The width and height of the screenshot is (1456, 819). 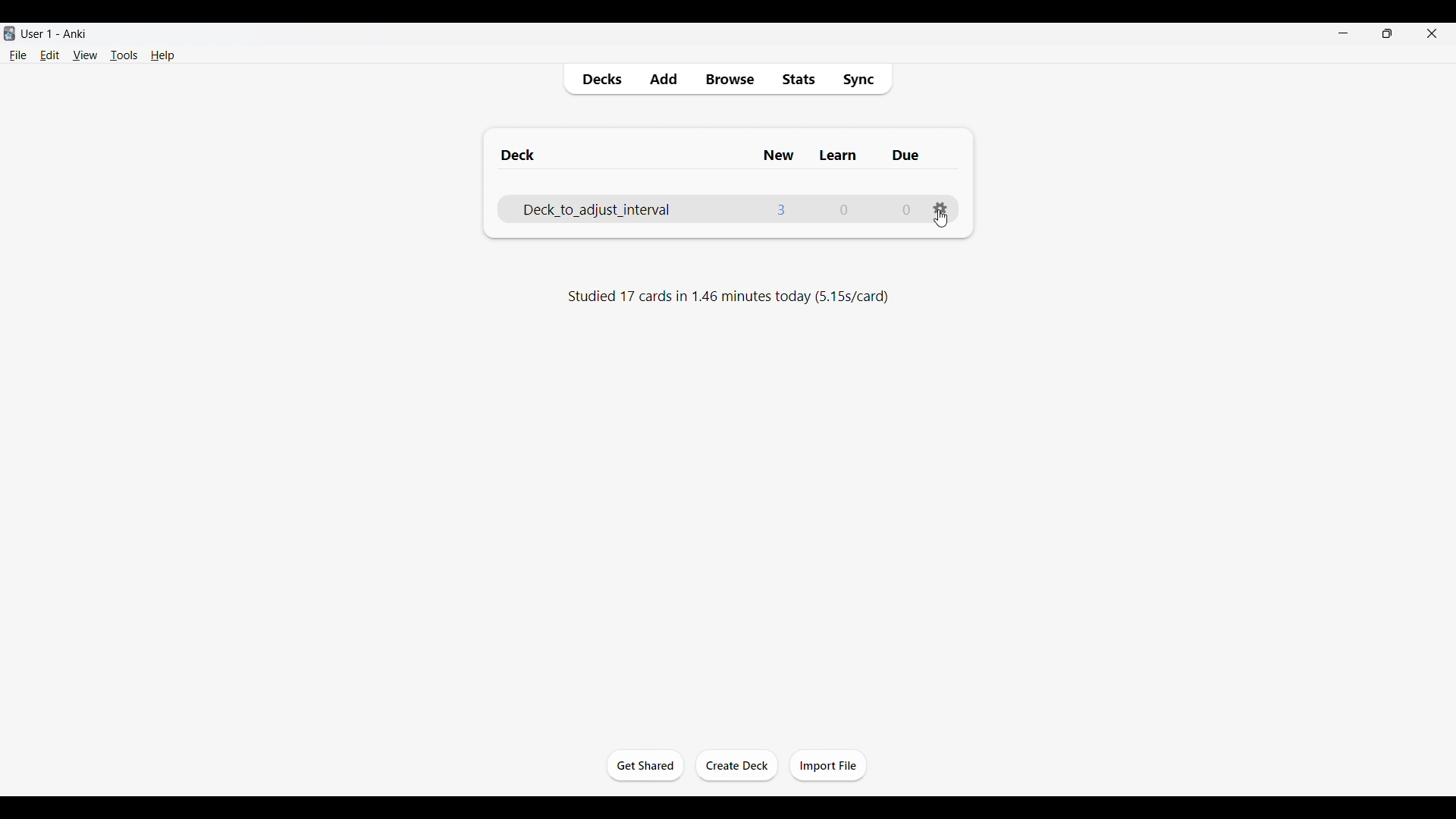 What do you see at coordinates (842, 209) in the screenshot?
I see `Number of cards to learn` at bounding box center [842, 209].